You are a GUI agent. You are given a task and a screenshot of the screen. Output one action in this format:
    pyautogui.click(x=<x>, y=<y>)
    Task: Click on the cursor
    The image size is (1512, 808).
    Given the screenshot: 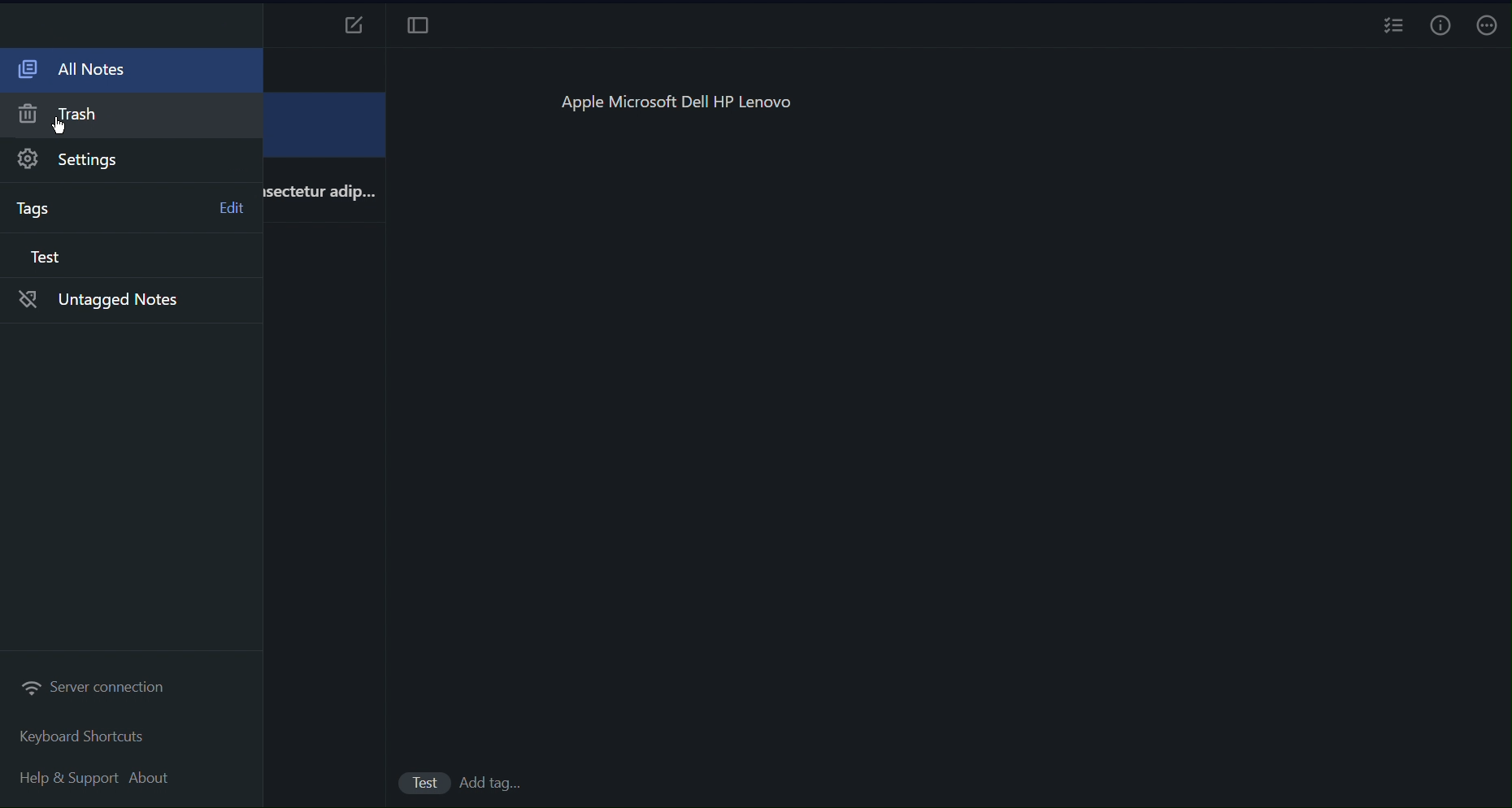 What is the action you would take?
    pyautogui.click(x=66, y=126)
    